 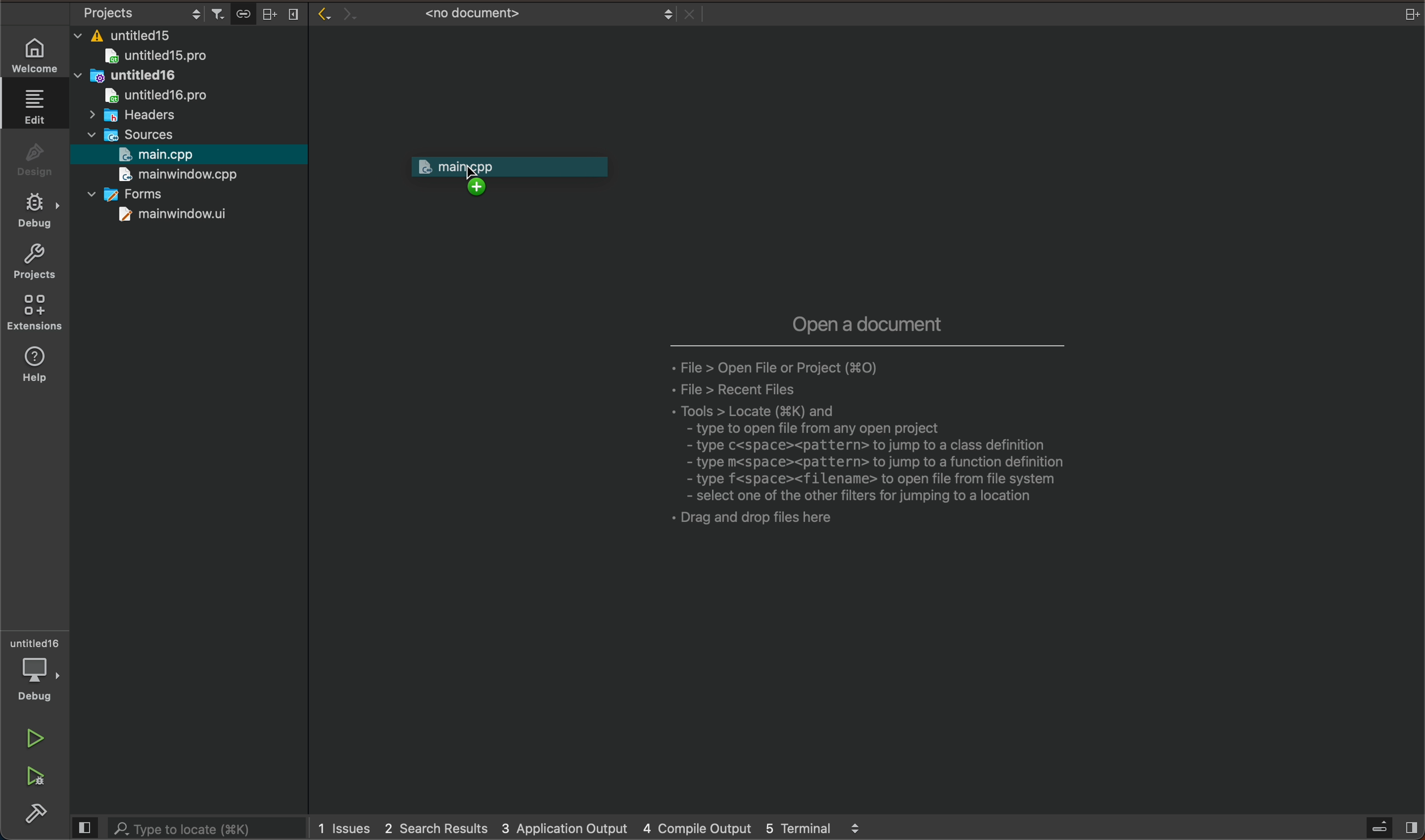 I want to click on sources, so click(x=140, y=133).